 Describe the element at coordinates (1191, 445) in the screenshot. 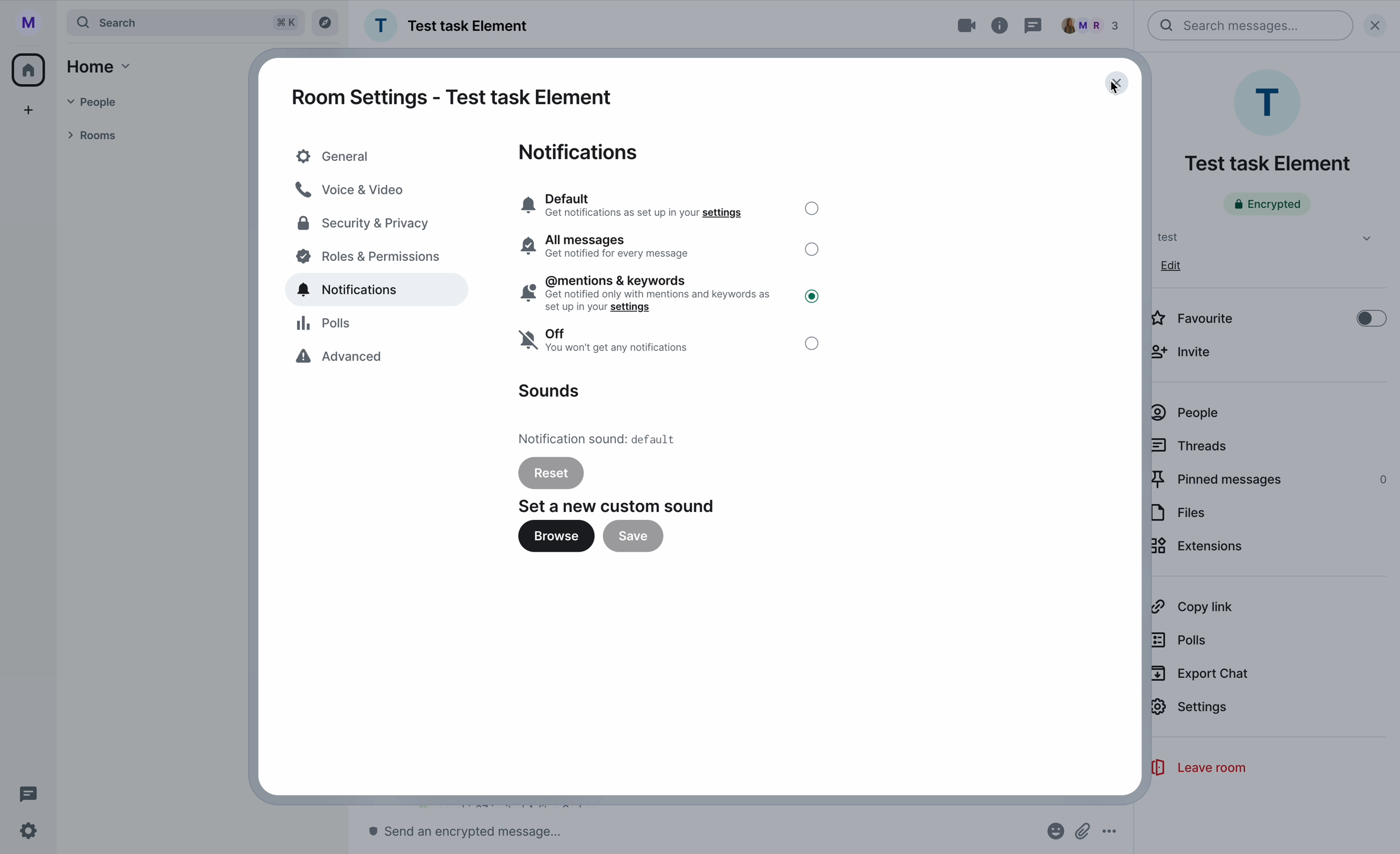

I see `threads` at that location.